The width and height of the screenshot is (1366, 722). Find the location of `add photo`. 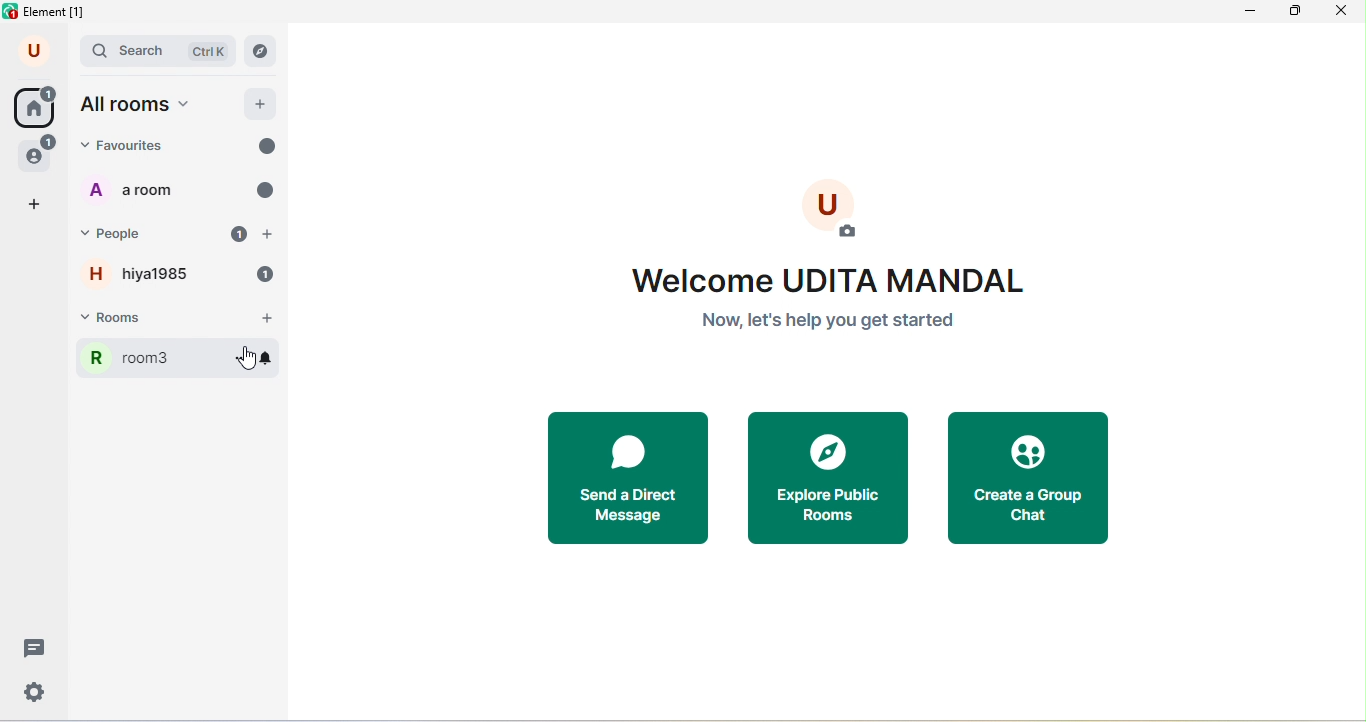

add photo is located at coordinates (832, 210).